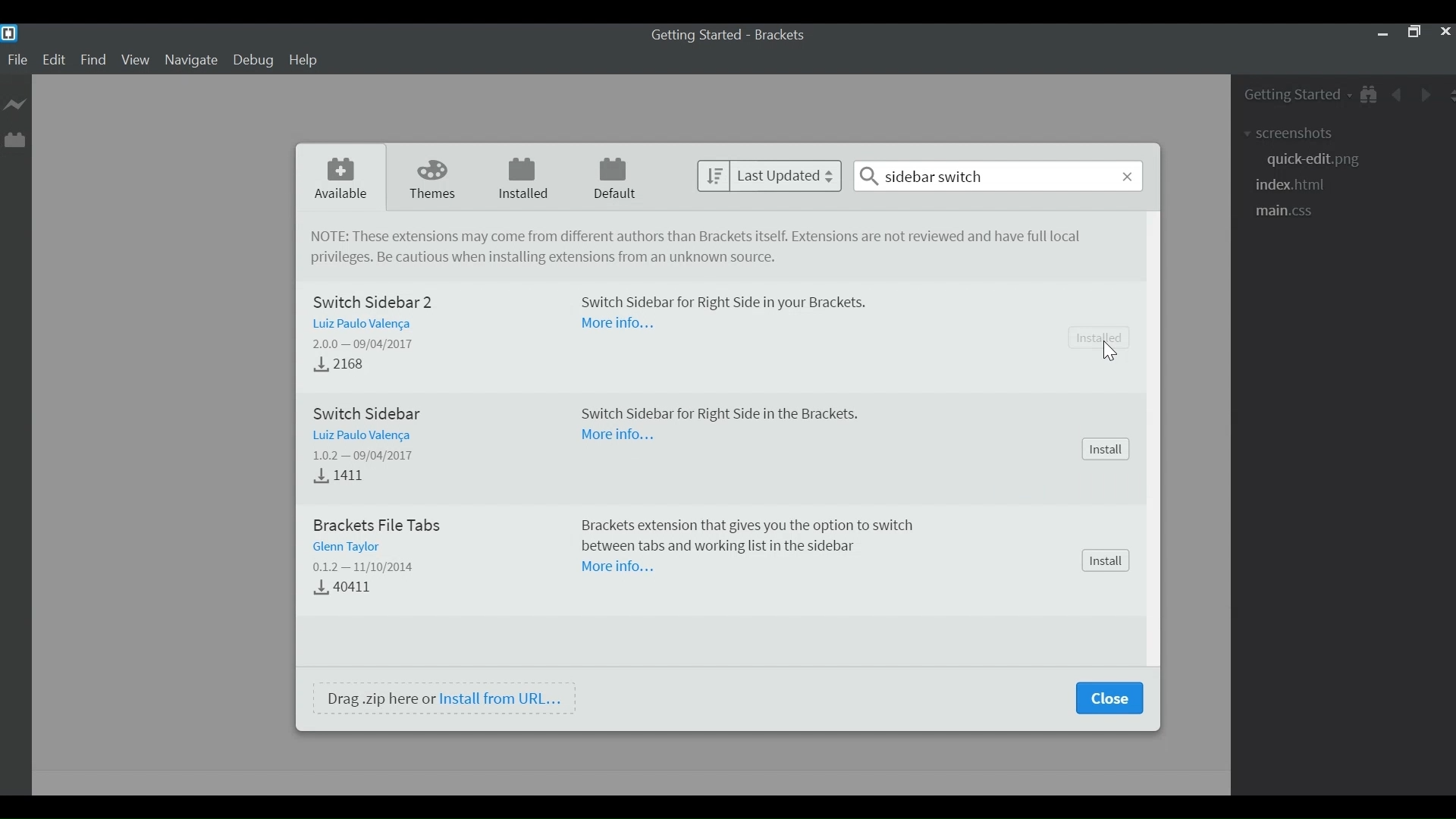 This screenshot has height=819, width=1456. What do you see at coordinates (1423, 93) in the screenshot?
I see `Navigate Forward` at bounding box center [1423, 93].